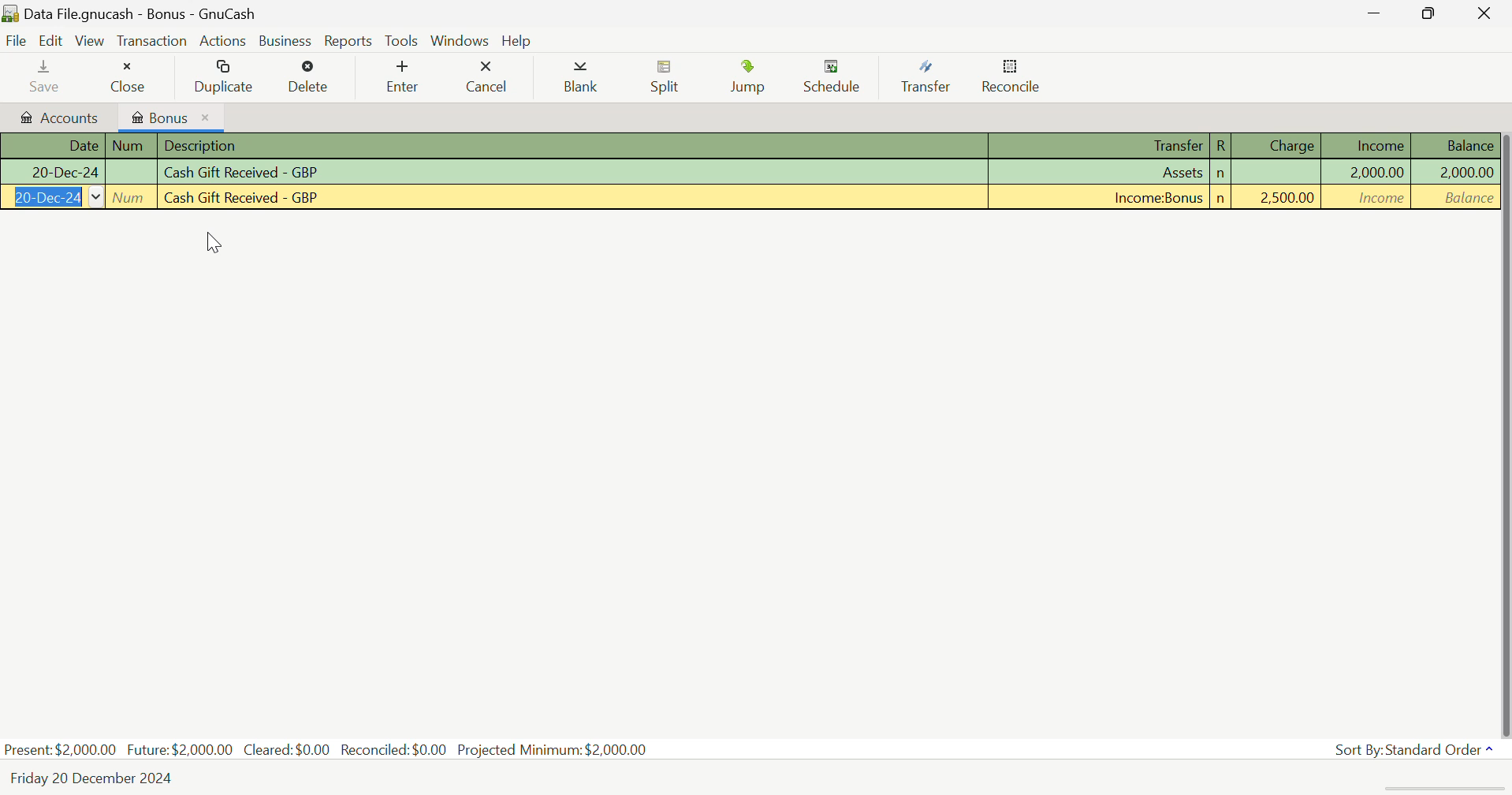 The height and width of the screenshot is (795, 1512). What do you see at coordinates (56, 115) in the screenshot?
I see `Accounts Tab` at bounding box center [56, 115].